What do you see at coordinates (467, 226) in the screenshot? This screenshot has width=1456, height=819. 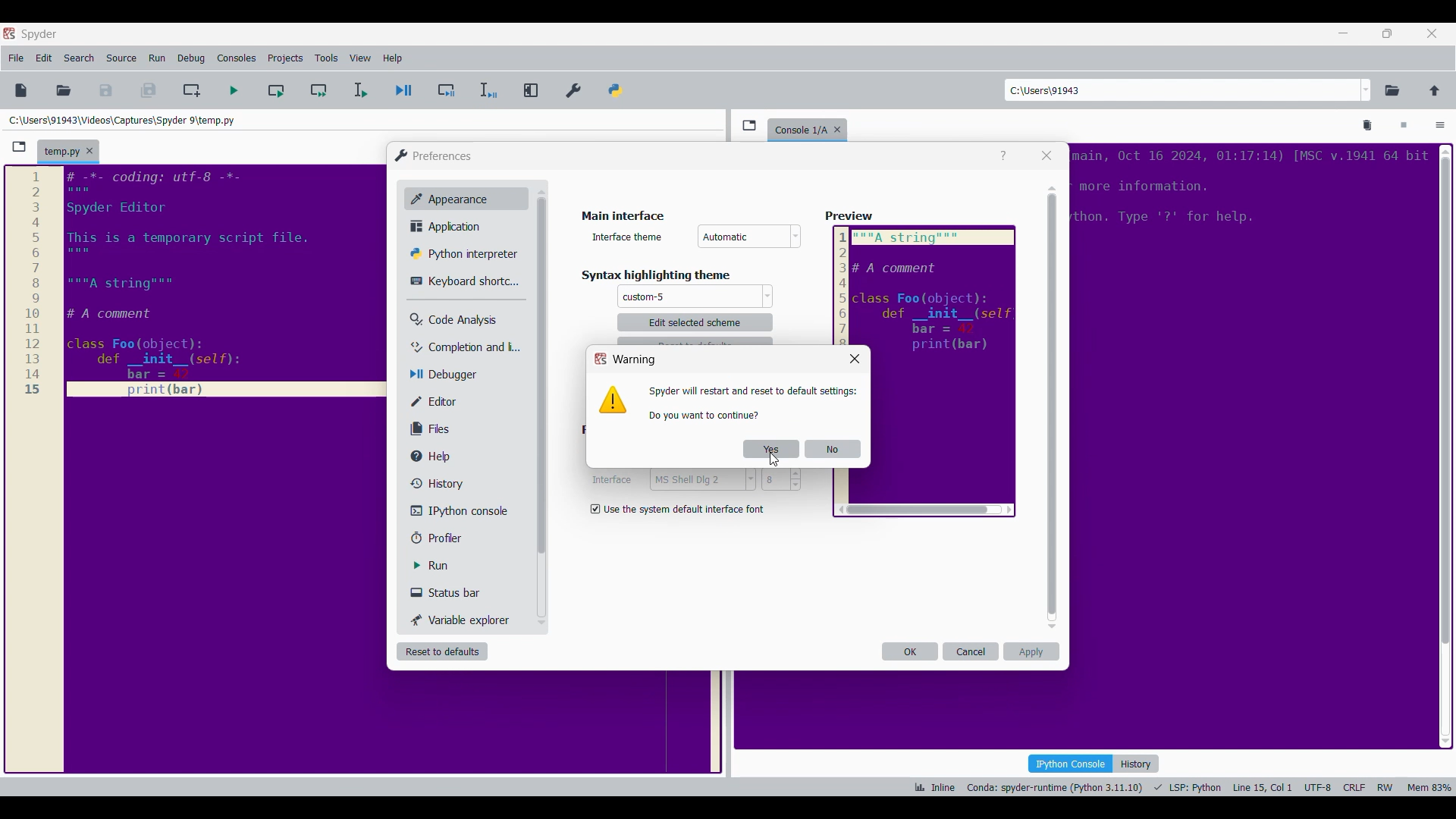 I see `Application setting` at bounding box center [467, 226].